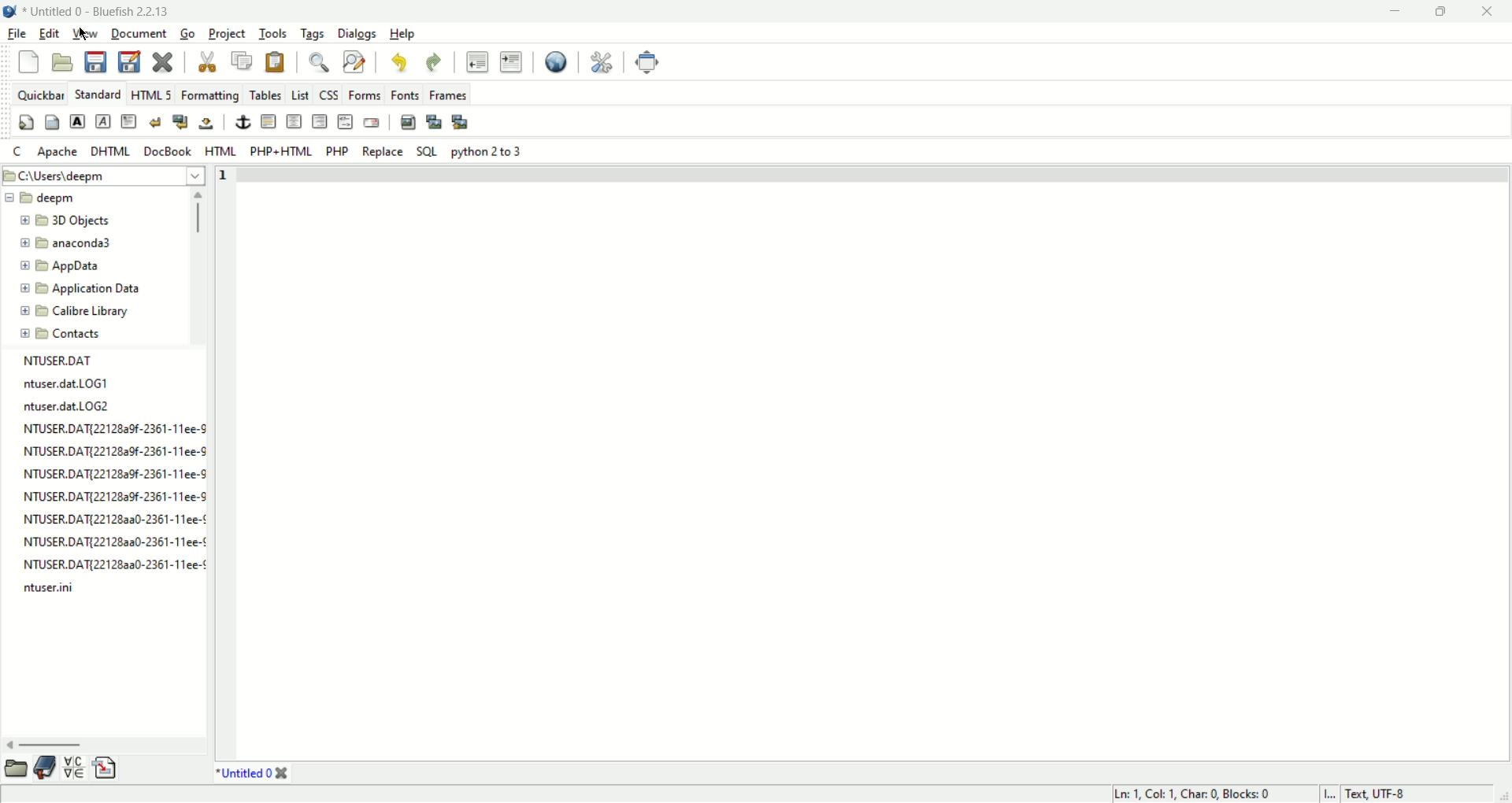 The width and height of the screenshot is (1512, 803). Describe the element at coordinates (873, 462) in the screenshot. I see `workspace` at that location.